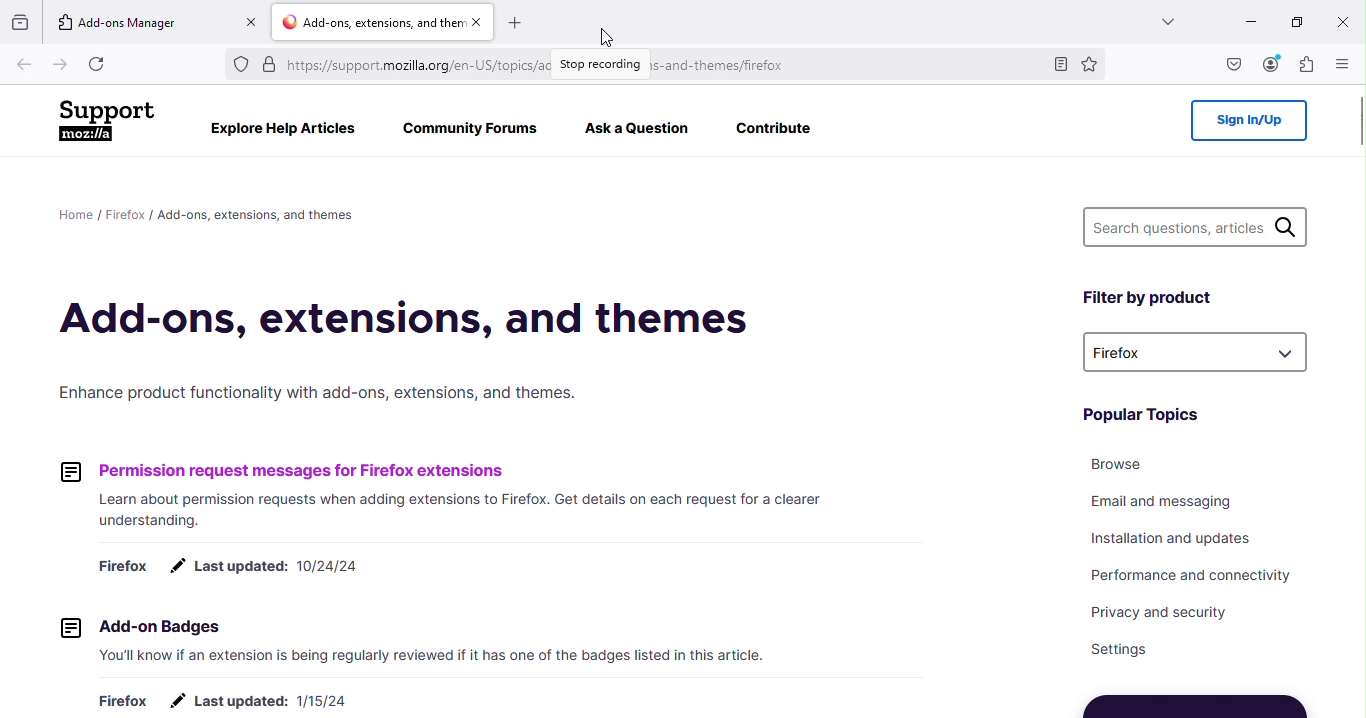 Image resolution: width=1366 pixels, height=718 pixels. I want to click on Filter by product, so click(1141, 298).